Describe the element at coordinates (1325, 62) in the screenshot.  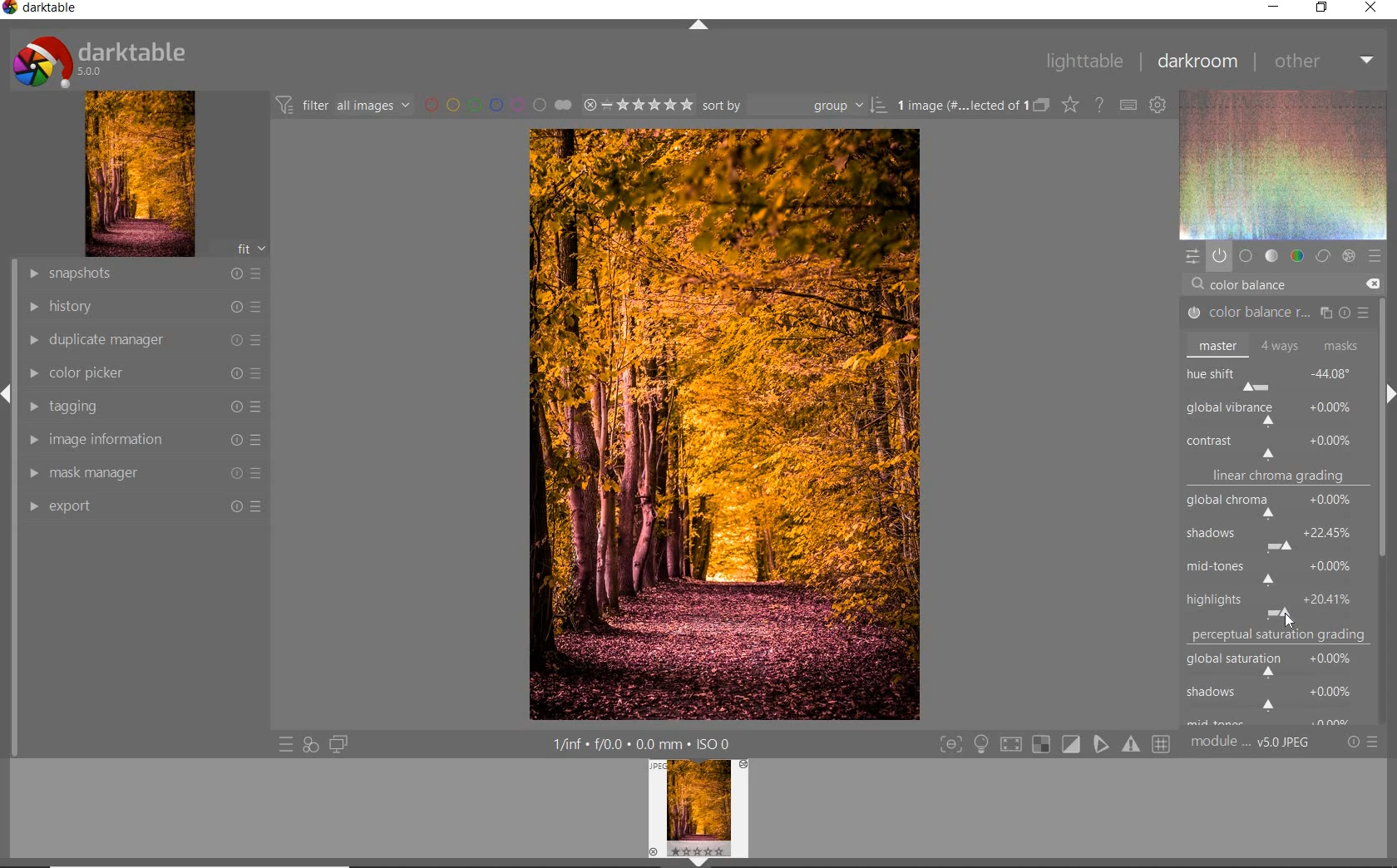
I see `other` at that location.